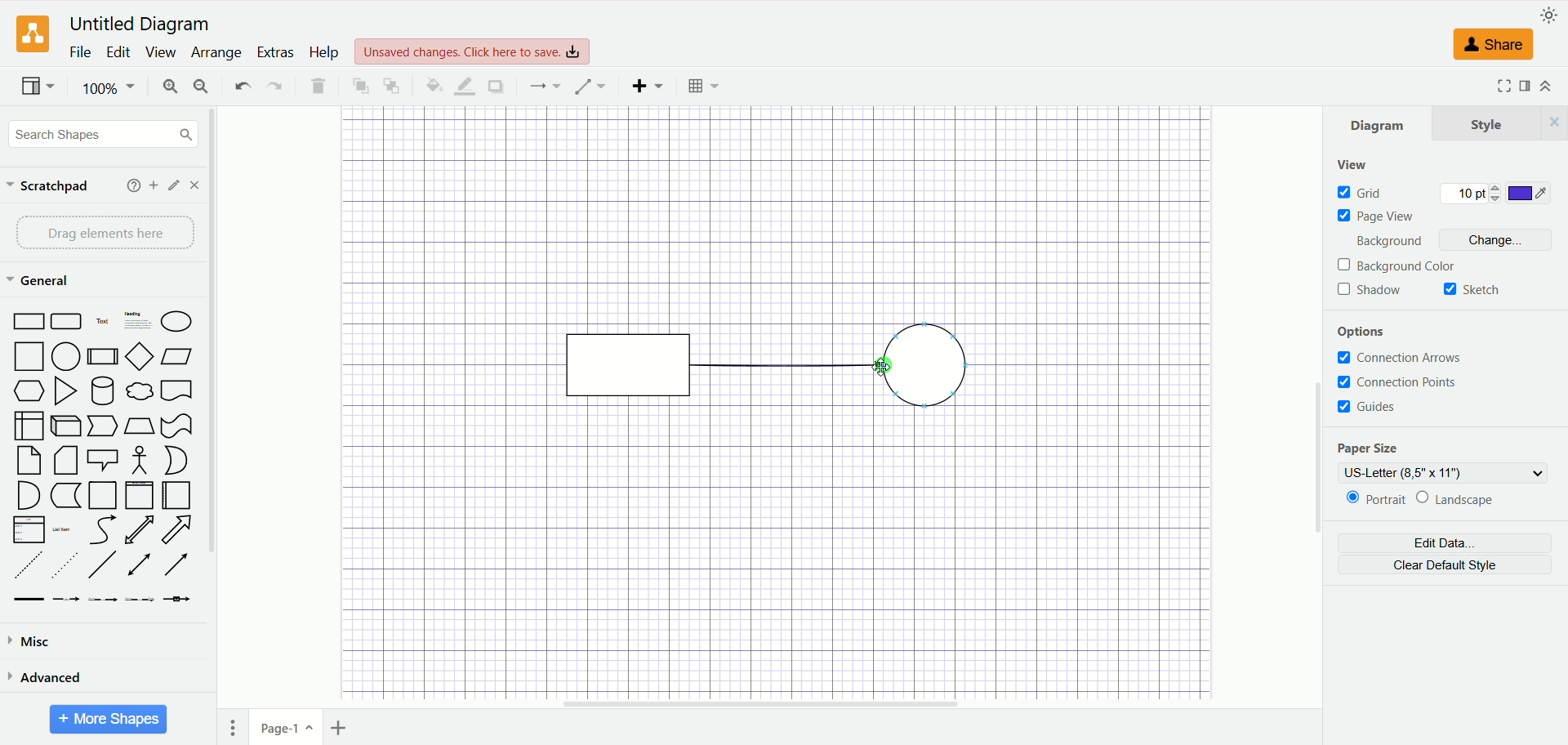  What do you see at coordinates (1472, 289) in the screenshot?
I see `sketch` at bounding box center [1472, 289].